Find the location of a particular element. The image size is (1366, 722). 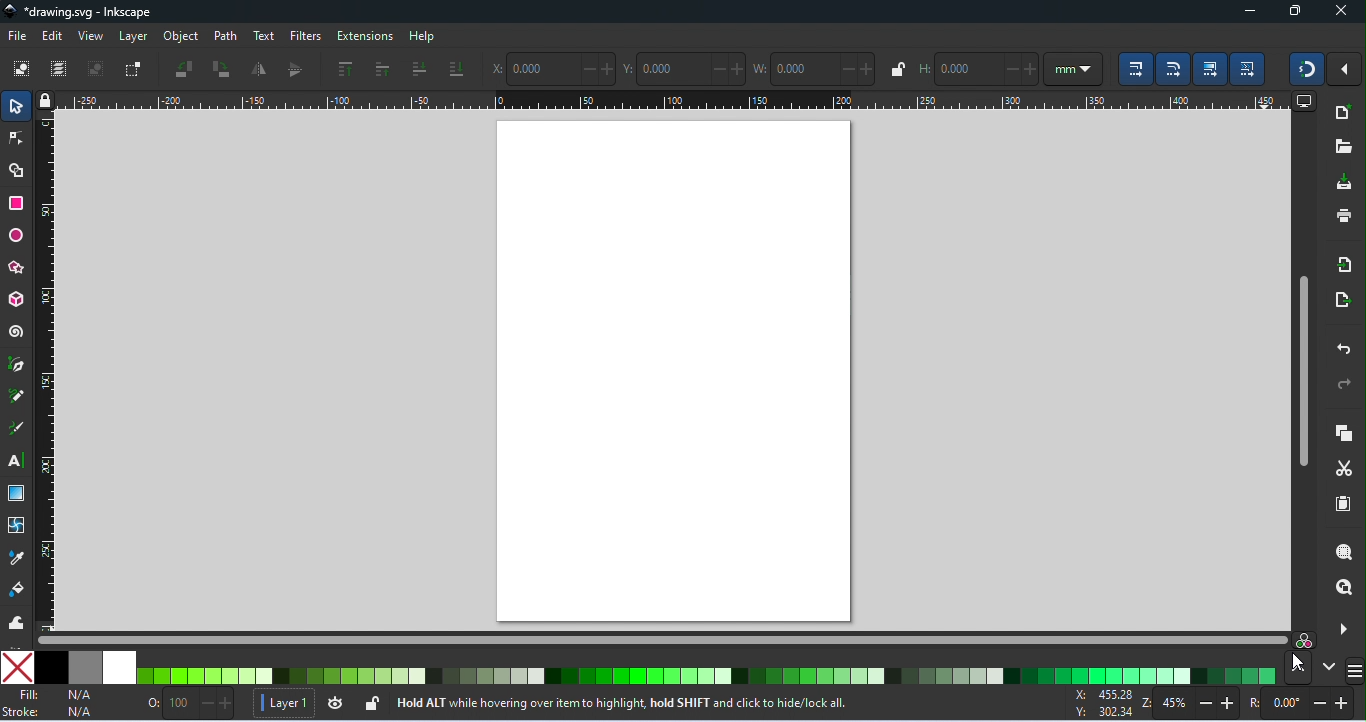

move patterns is located at coordinates (1249, 69).